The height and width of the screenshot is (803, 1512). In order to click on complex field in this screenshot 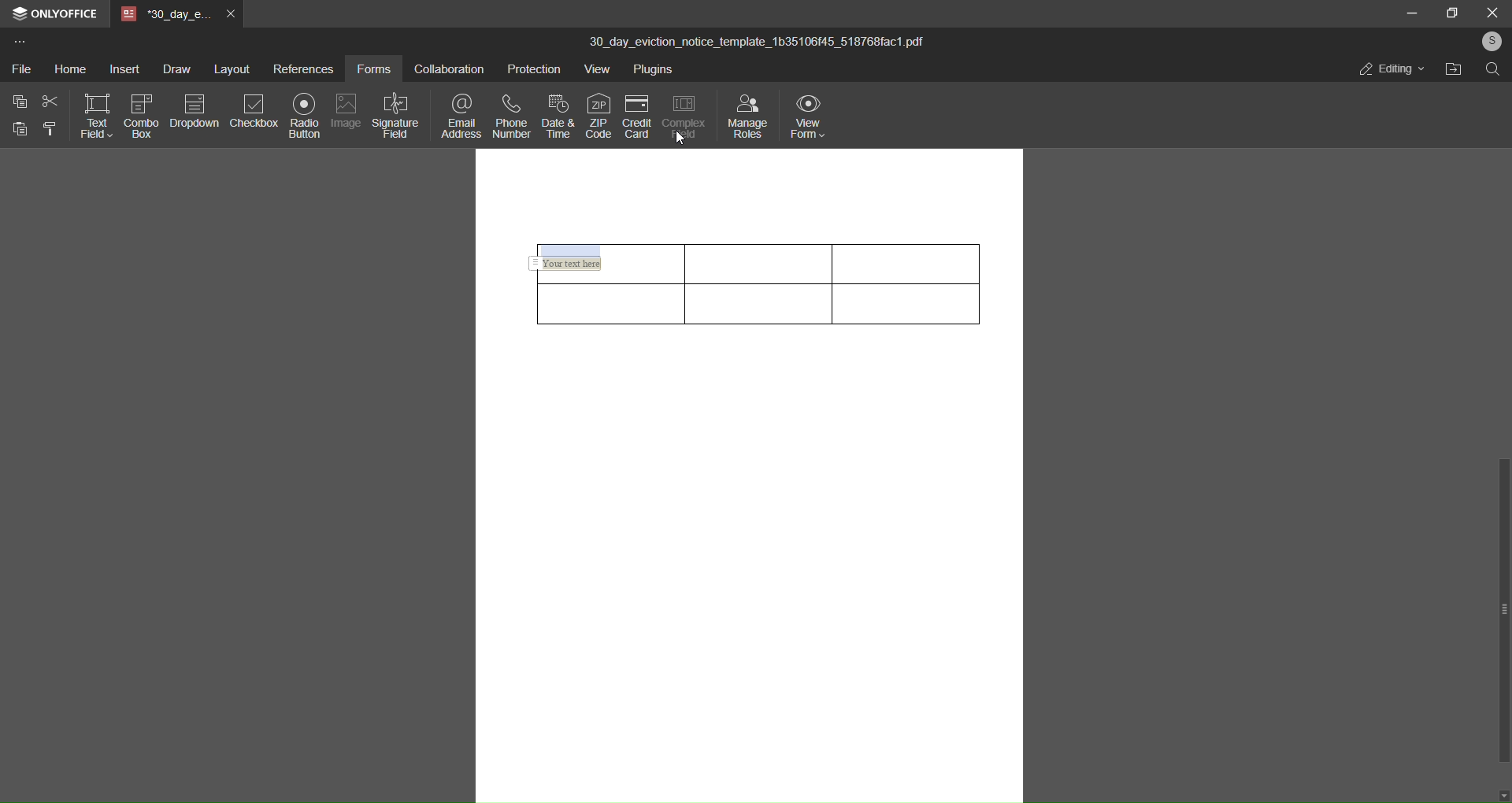, I will do `click(682, 116)`.